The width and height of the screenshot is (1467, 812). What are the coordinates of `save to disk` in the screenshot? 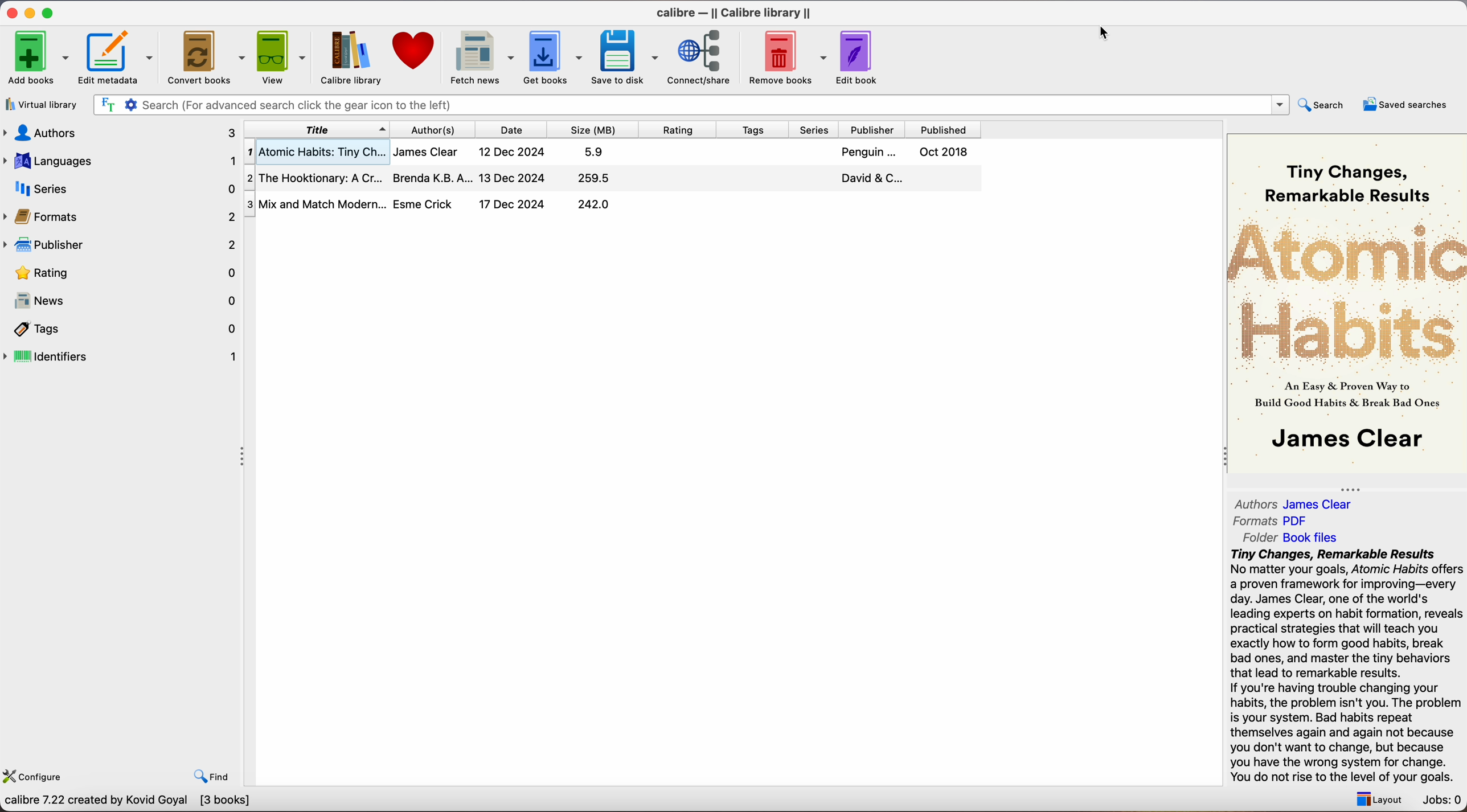 It's located at (625, 59).